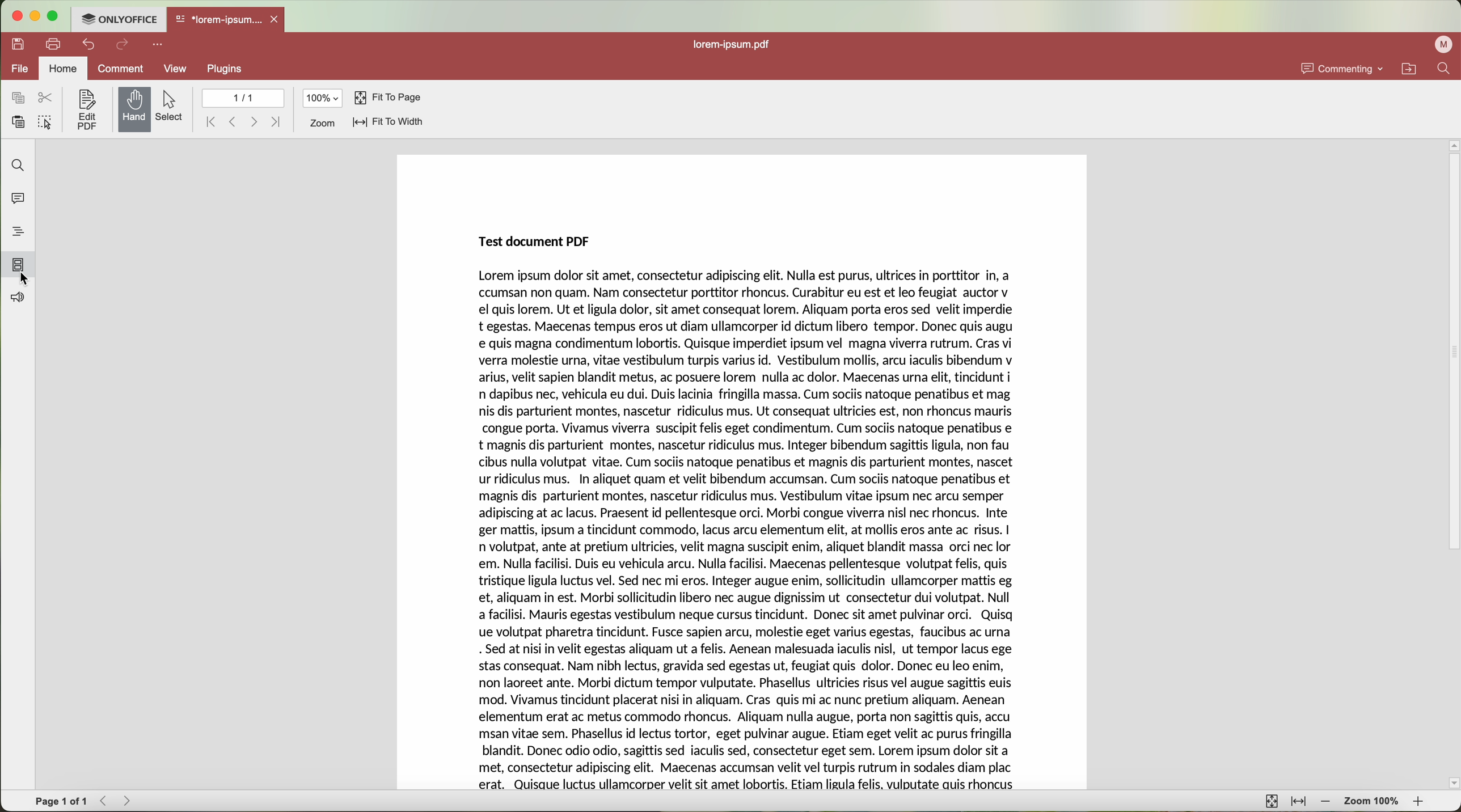  What do you see at coordinates (390, 123) in the screenshot?
I see `fit to width` at bounding box center [390, 123].